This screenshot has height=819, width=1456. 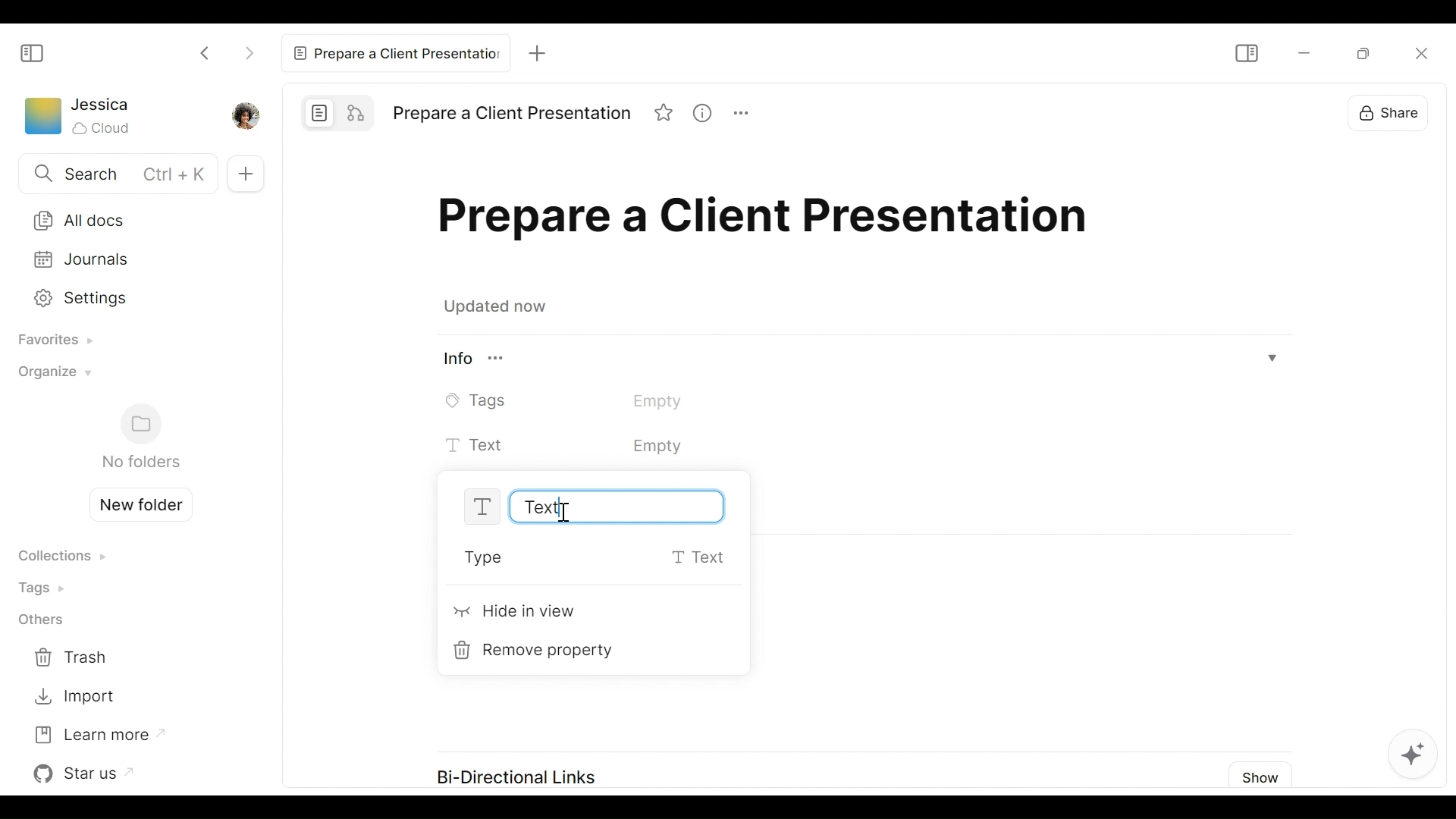 I want to click on View Information, so click(x=861, y=360).